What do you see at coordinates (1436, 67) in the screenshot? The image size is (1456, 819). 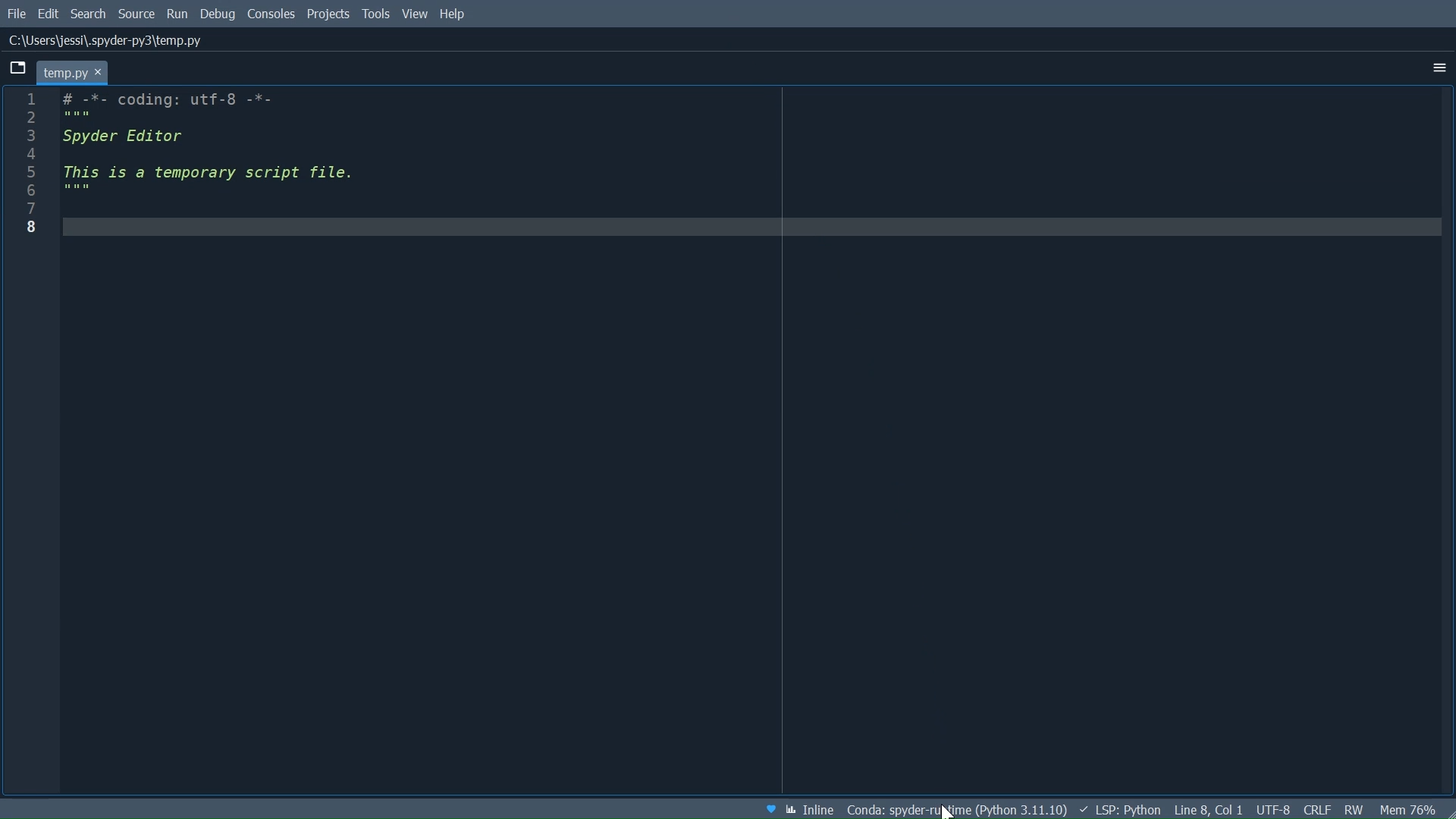 I see `More Options` at bounding box center [1436, 67].